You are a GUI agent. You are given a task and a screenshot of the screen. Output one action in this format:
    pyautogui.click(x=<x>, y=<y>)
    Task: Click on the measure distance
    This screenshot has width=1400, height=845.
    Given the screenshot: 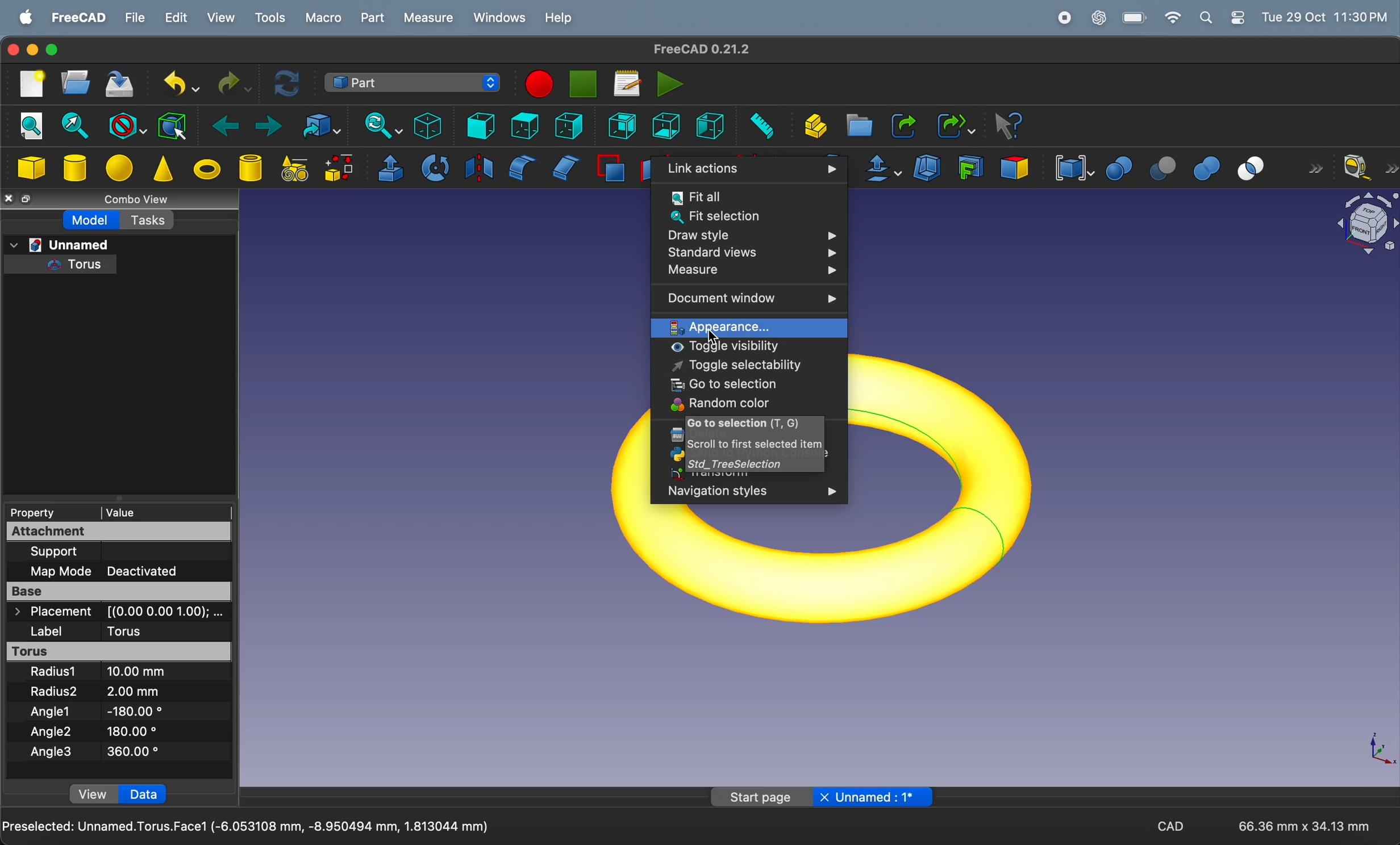 What is the action you would take?
    pyautogui.click(x=758, y=126)
    